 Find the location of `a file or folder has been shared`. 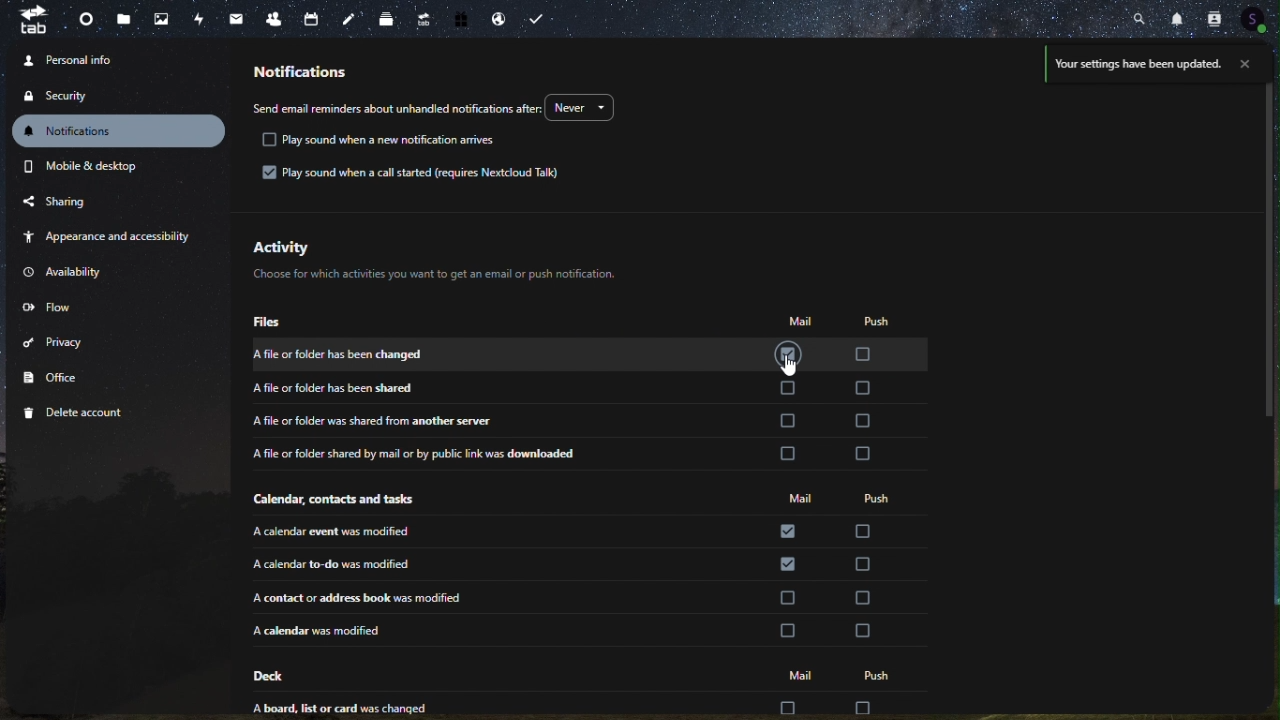

a file or folder has been shared is located at coordinates (337, 389).